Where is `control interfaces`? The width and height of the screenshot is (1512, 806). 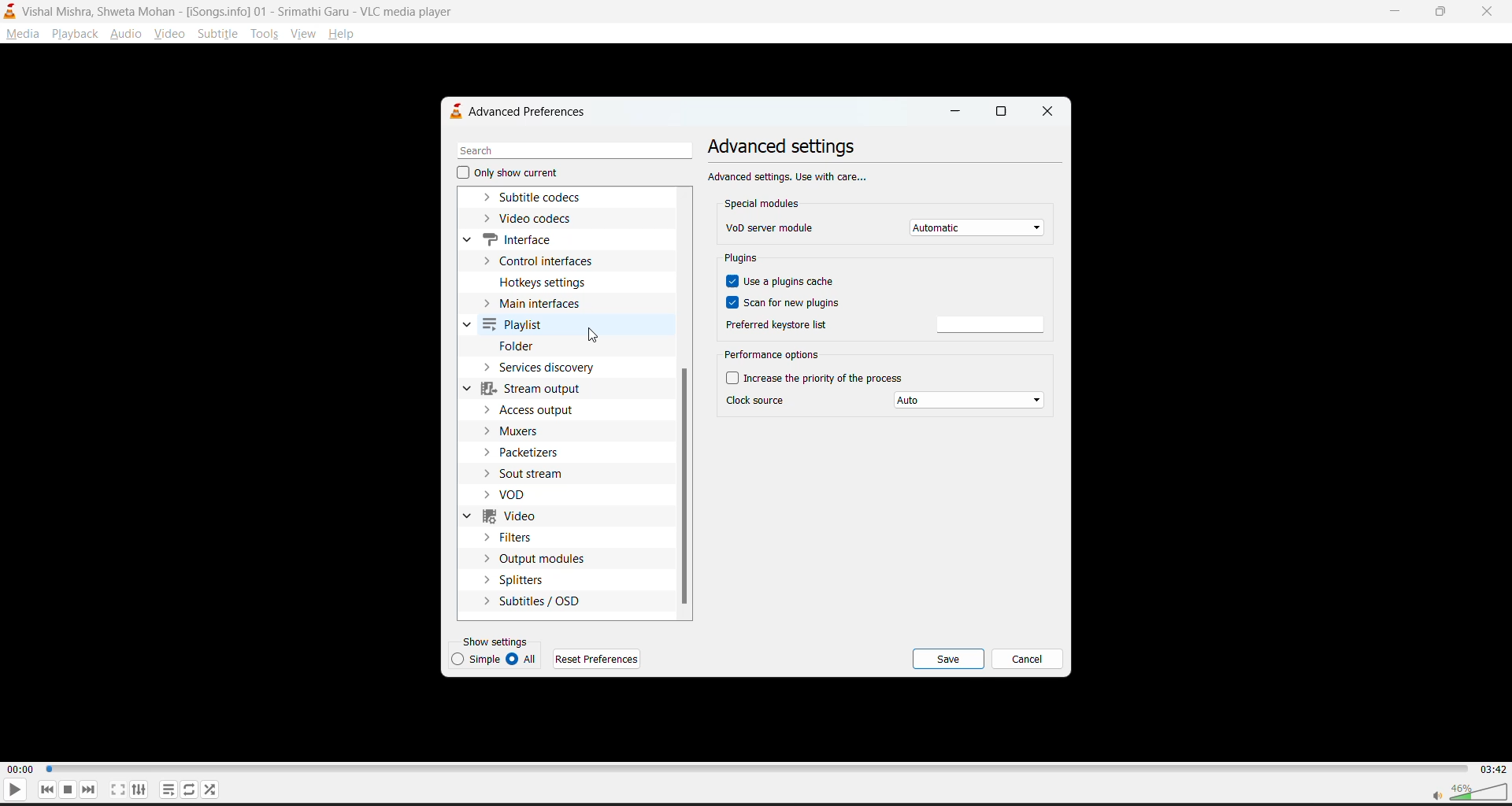 control interfaces is located at coordinates (544, 261).